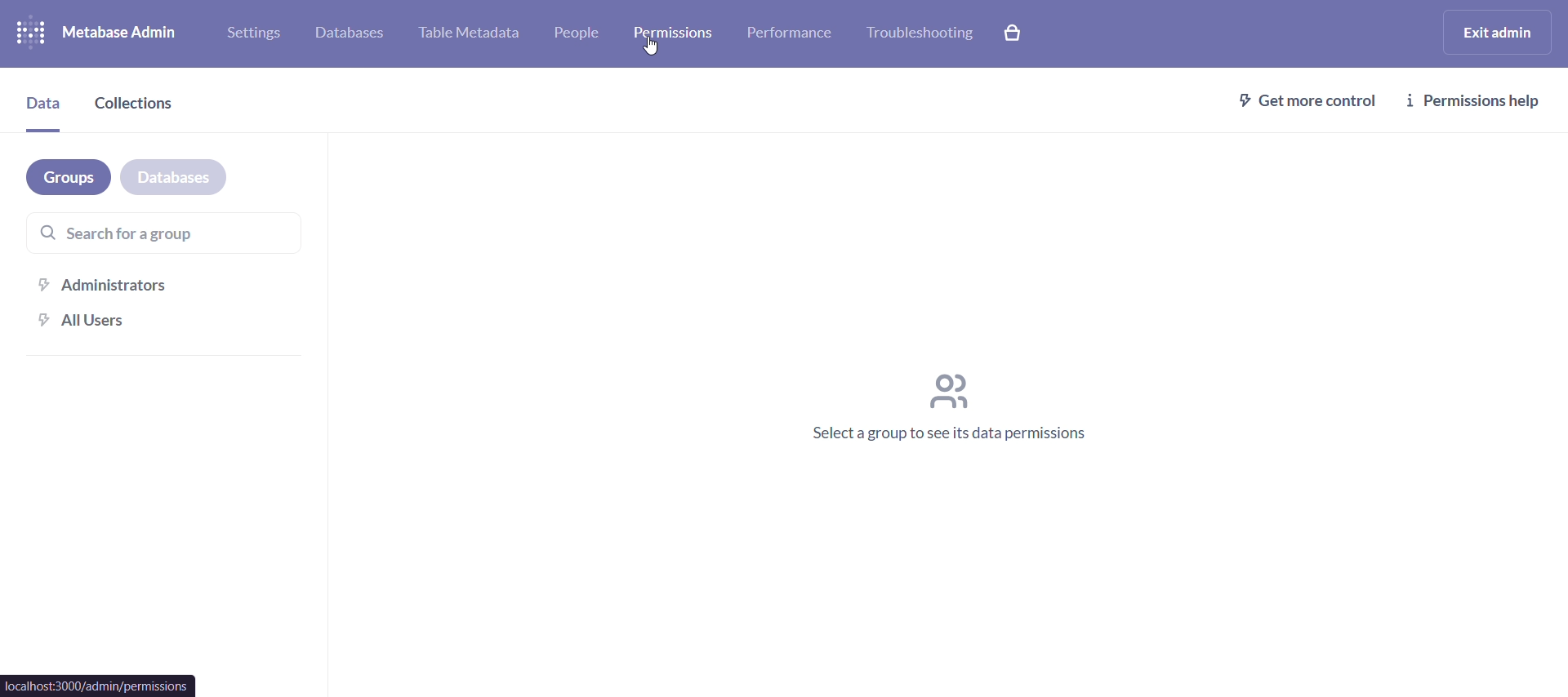  I want to click on people, so click(581, 32).